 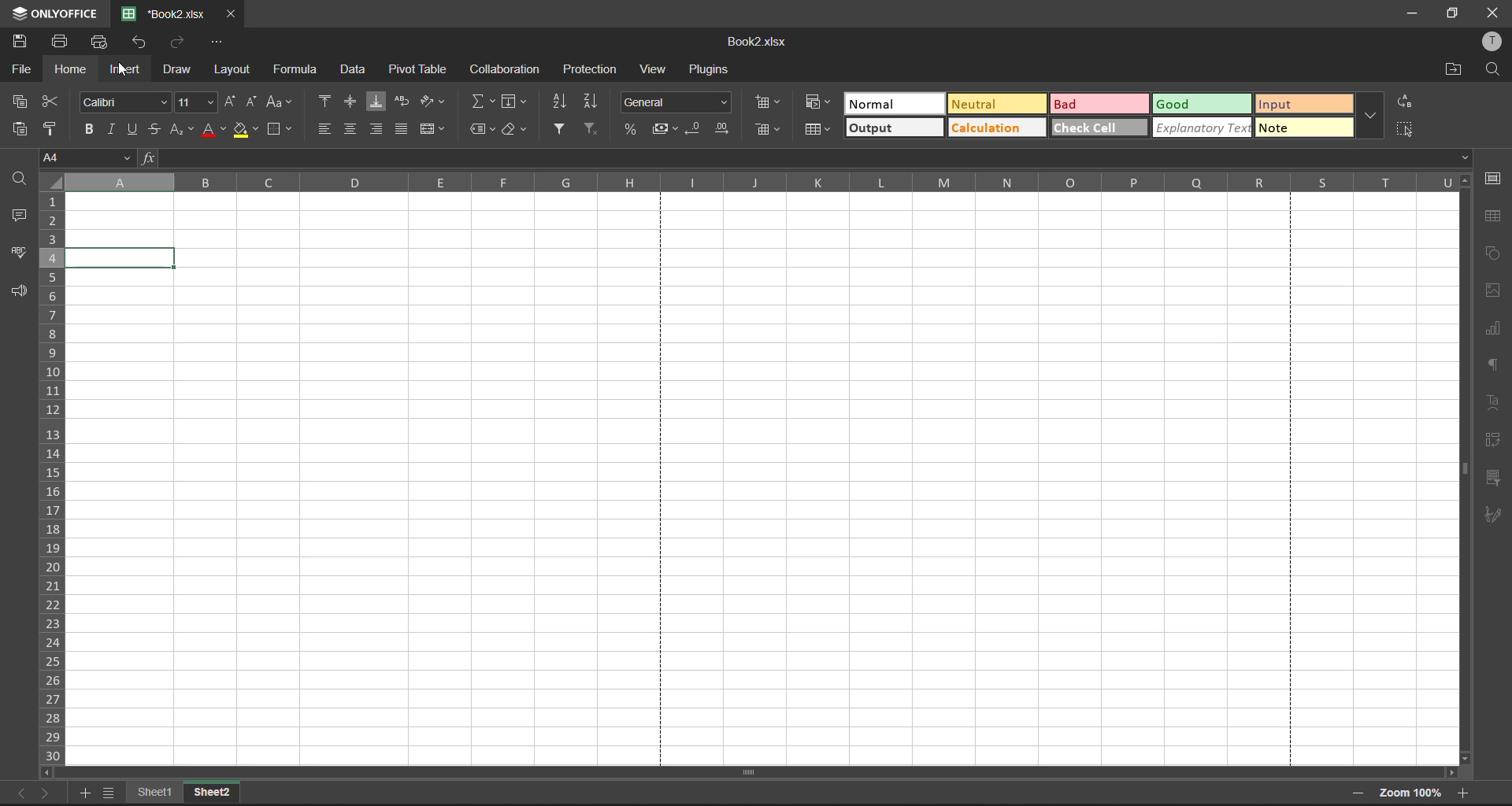 I want to click on zoom factor, so click(x=1412, y=794).